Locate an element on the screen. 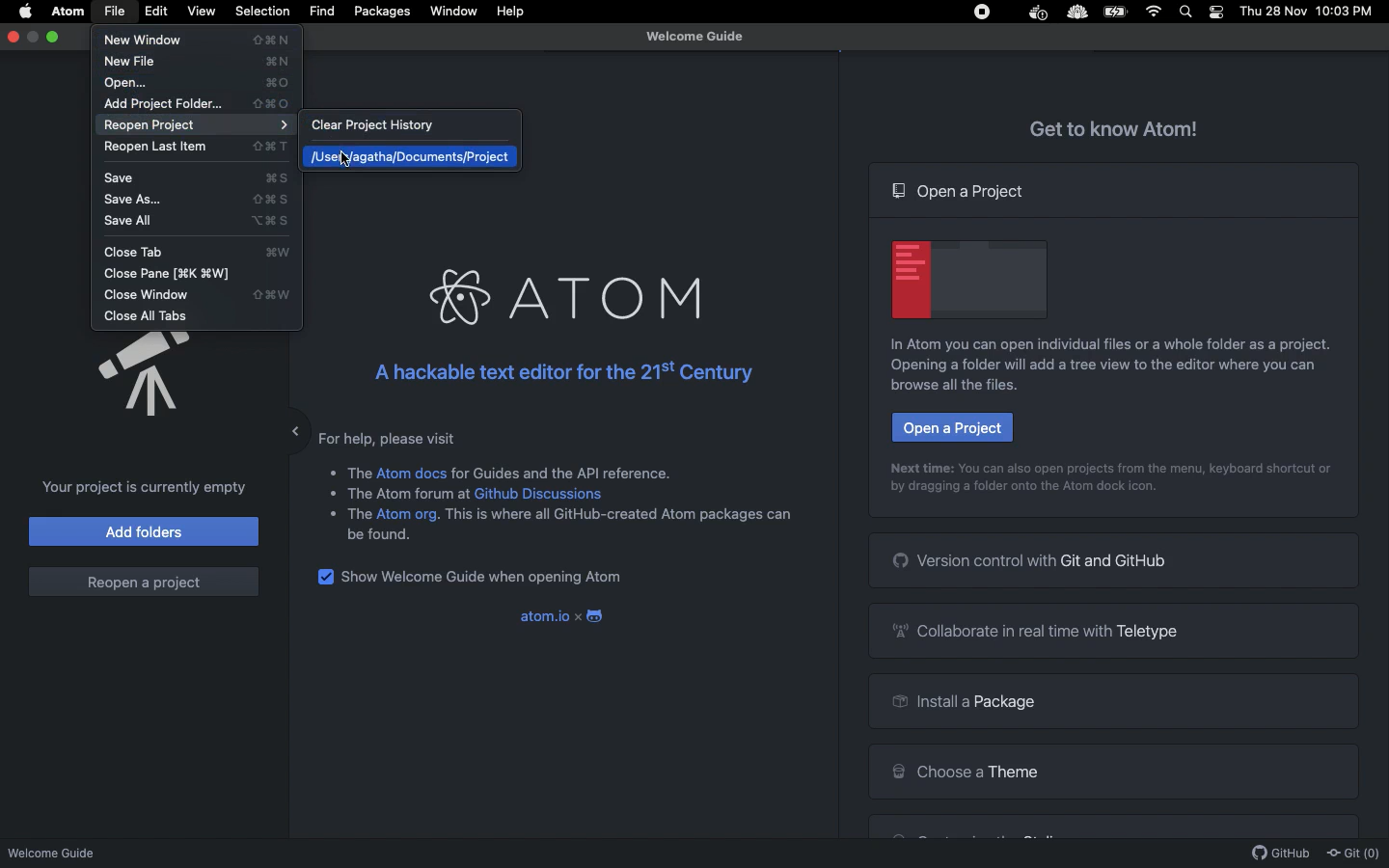 The height and width of the screenshot is (868, 1389). Save is located at coordinates (203, 179).